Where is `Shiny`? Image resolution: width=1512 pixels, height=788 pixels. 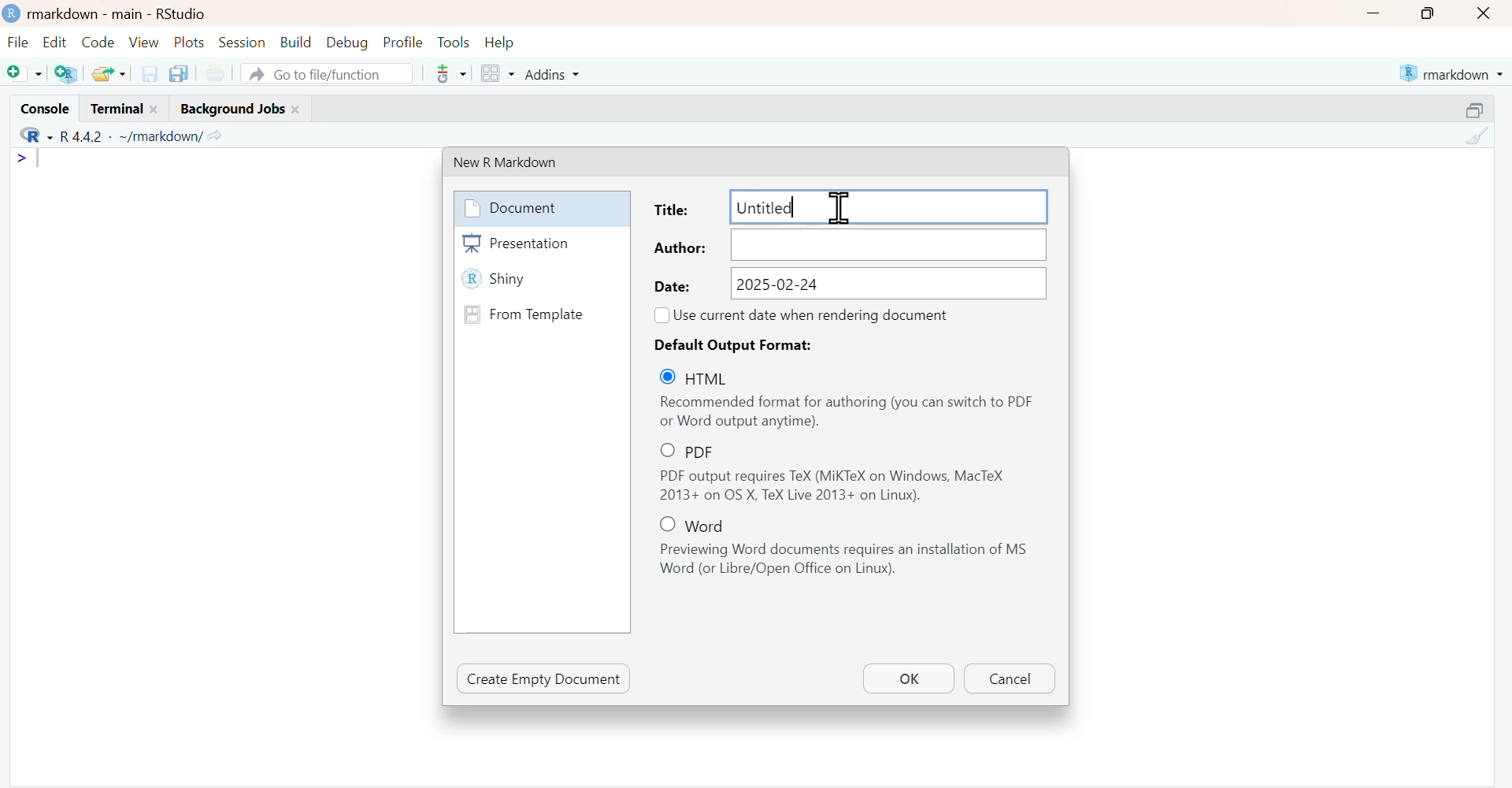
Shiny is located at coordinates (541, 281).